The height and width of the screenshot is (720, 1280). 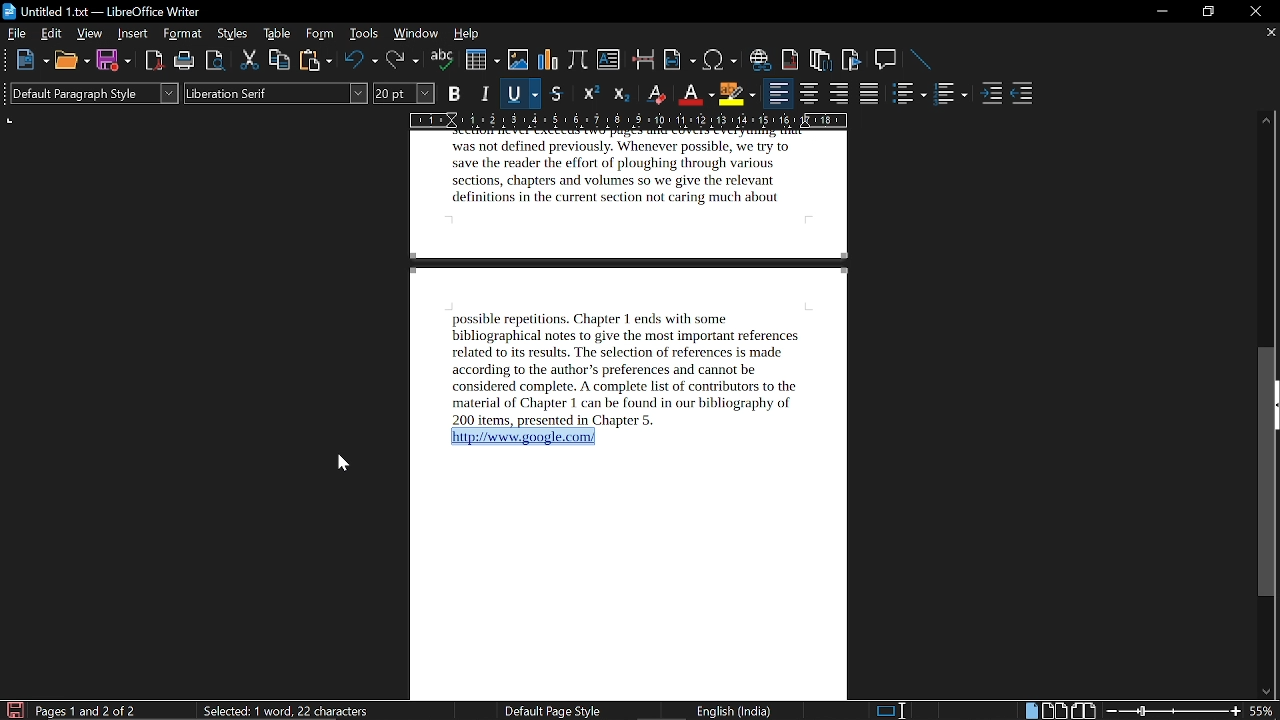 What do you see at coordinates (694, 93) in the screenshot?
I see `font color` at bounding box center [694, 93].